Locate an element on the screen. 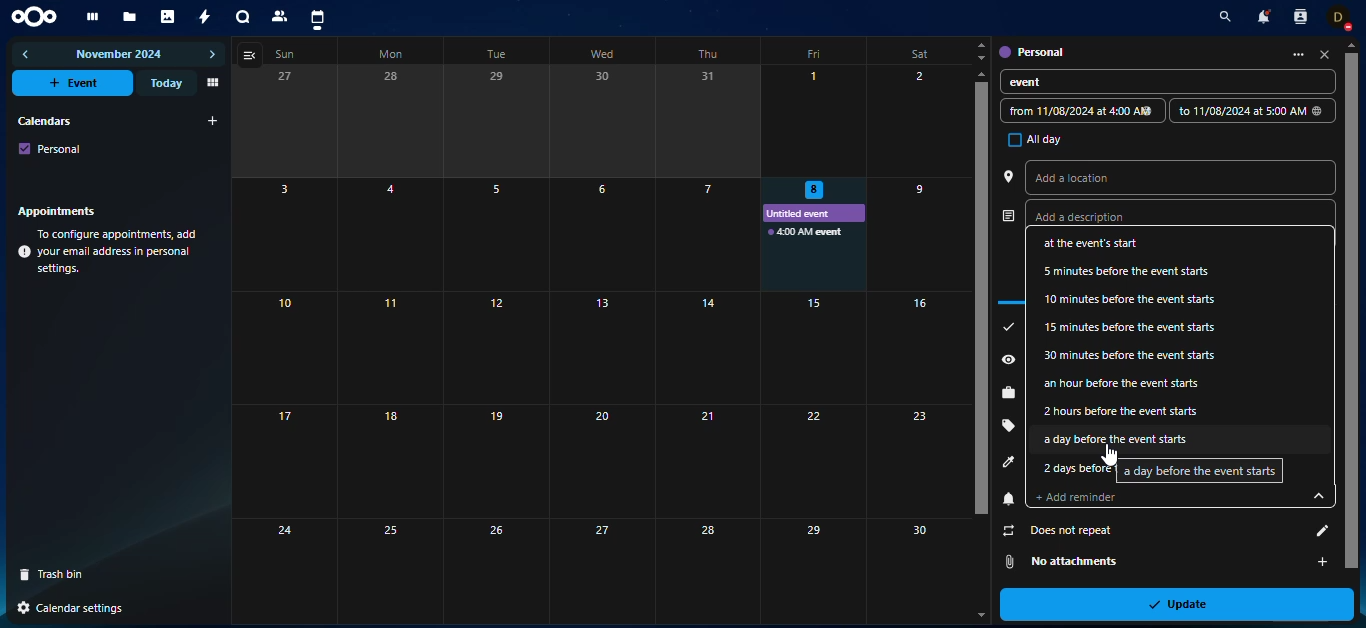  calendar is located at coordinates (317, 19).